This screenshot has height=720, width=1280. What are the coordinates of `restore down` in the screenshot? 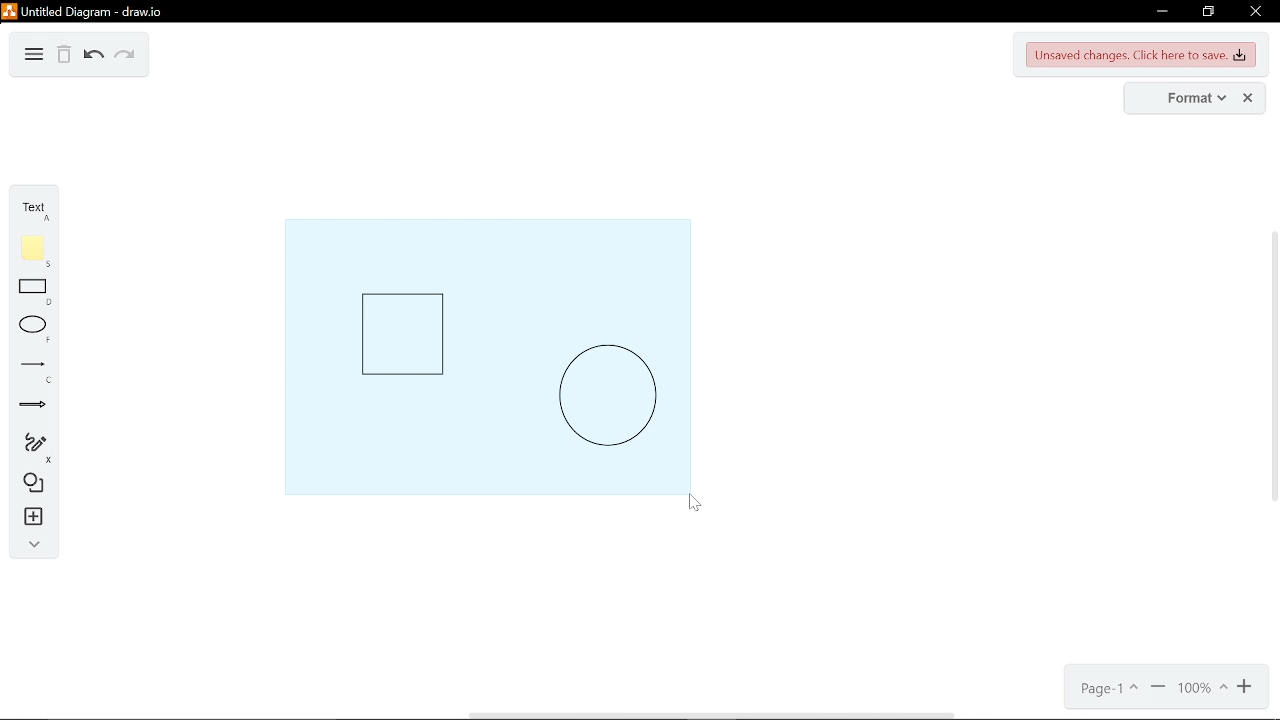 It's located at (1207, 13).